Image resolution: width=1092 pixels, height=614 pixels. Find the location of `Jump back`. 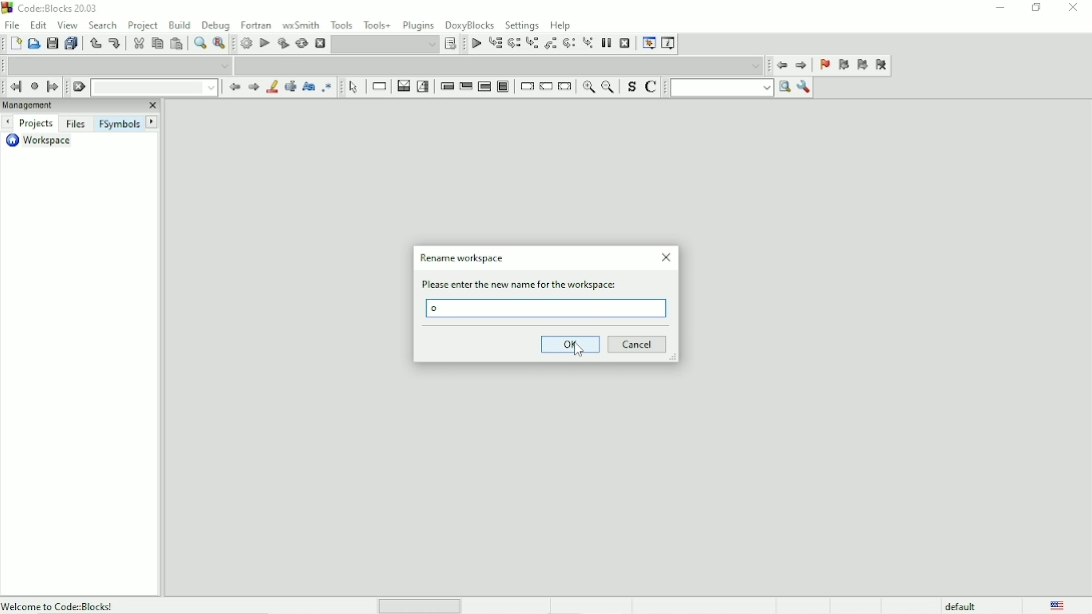

Jump back is located at coordinates (13, 86).